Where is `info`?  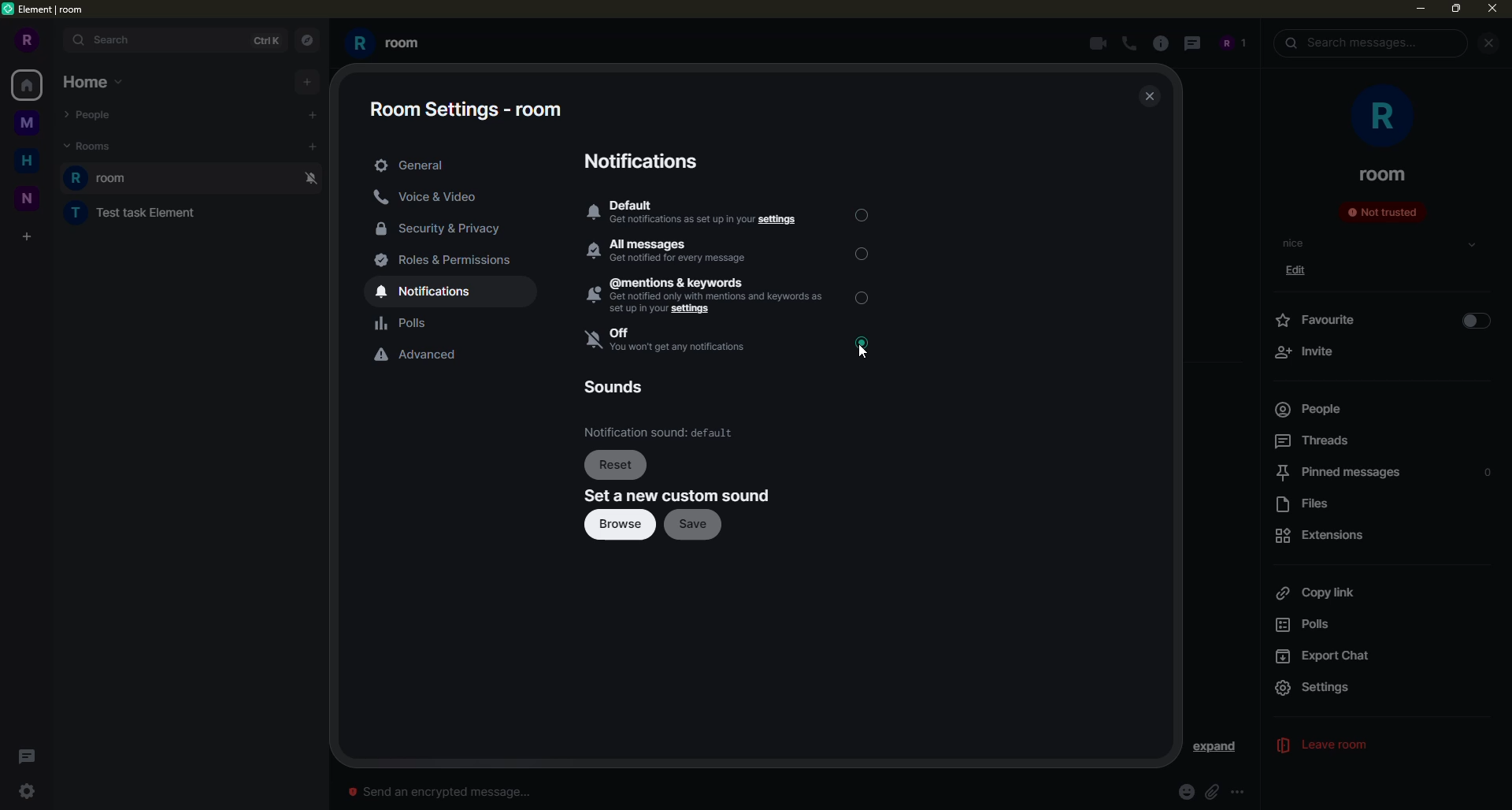 info is located at coordinates (1163, 43).